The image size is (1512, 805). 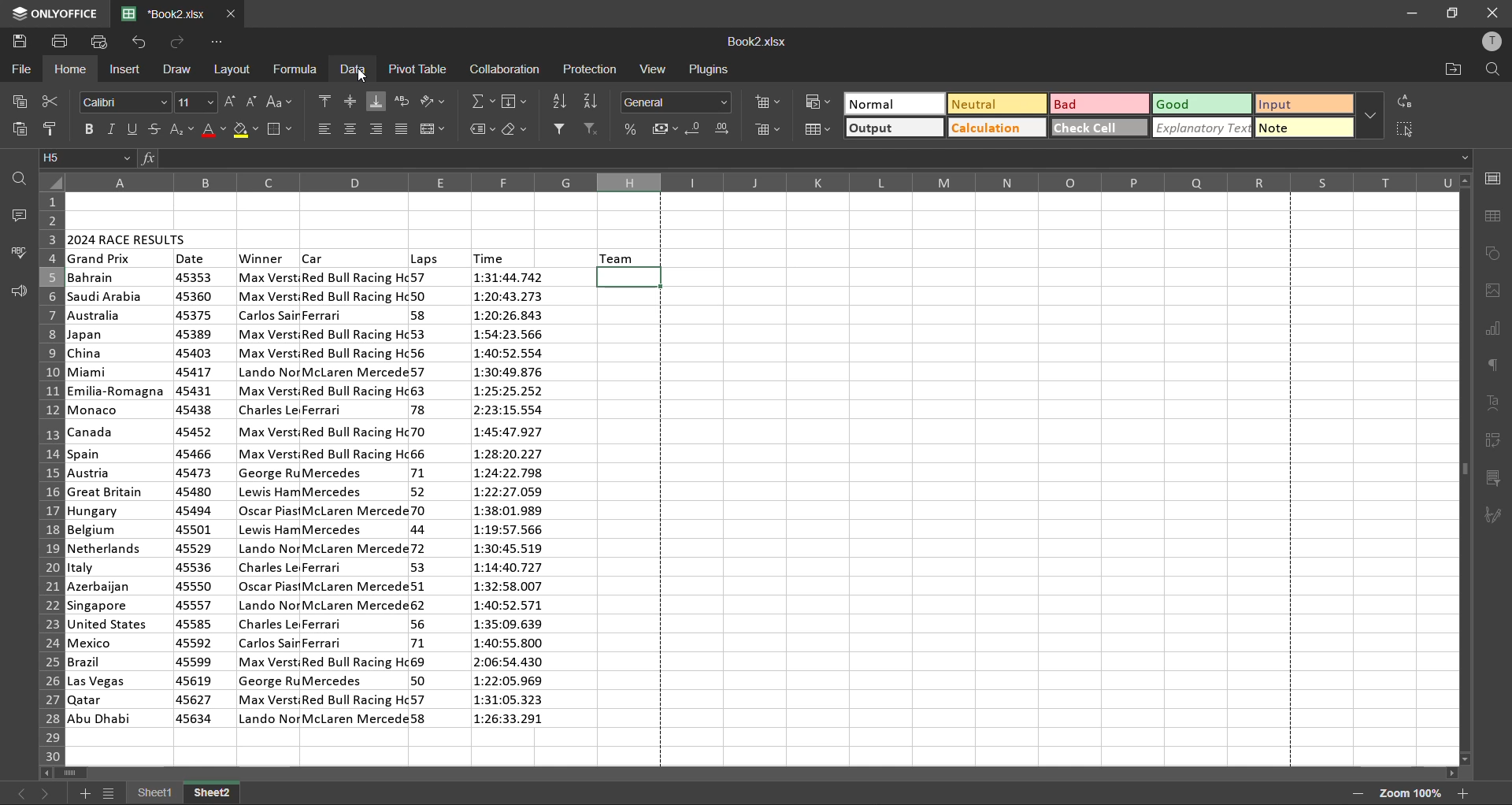 What do you see at coordinates (128, 103) in the screenshot?
I see `font style` at bounding box center [128, 103].